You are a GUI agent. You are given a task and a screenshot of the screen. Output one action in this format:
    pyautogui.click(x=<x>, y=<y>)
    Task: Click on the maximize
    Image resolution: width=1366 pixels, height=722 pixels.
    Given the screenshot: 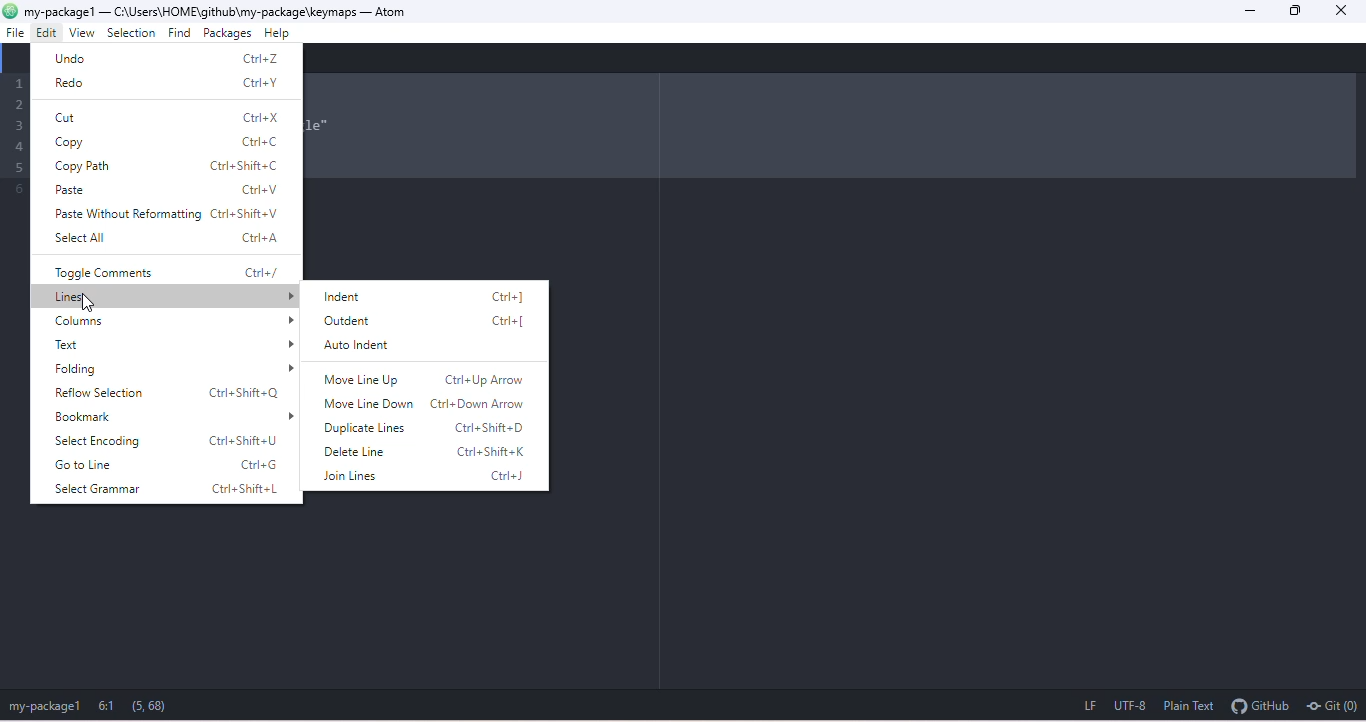 What is the action you would take?
    pyautogui.click(x=1300, y=10)
    